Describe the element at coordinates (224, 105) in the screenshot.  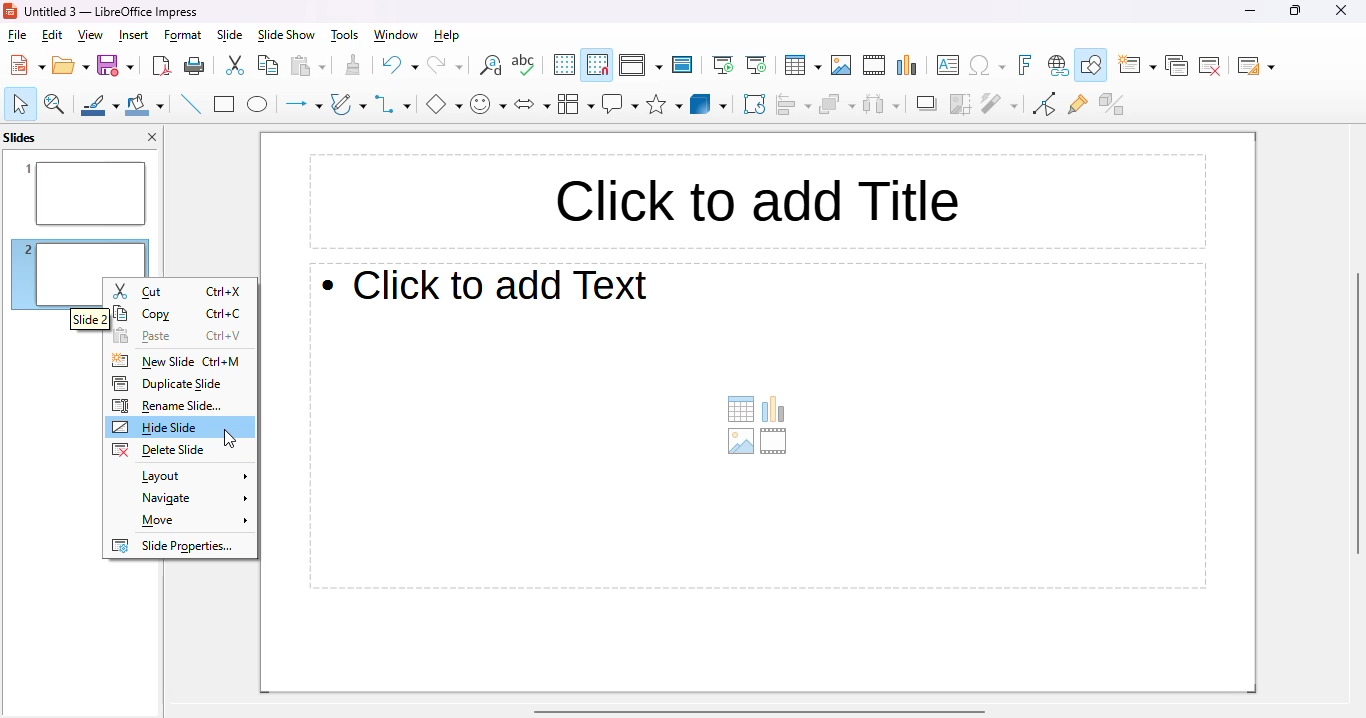
I see `rectangle` at that location.